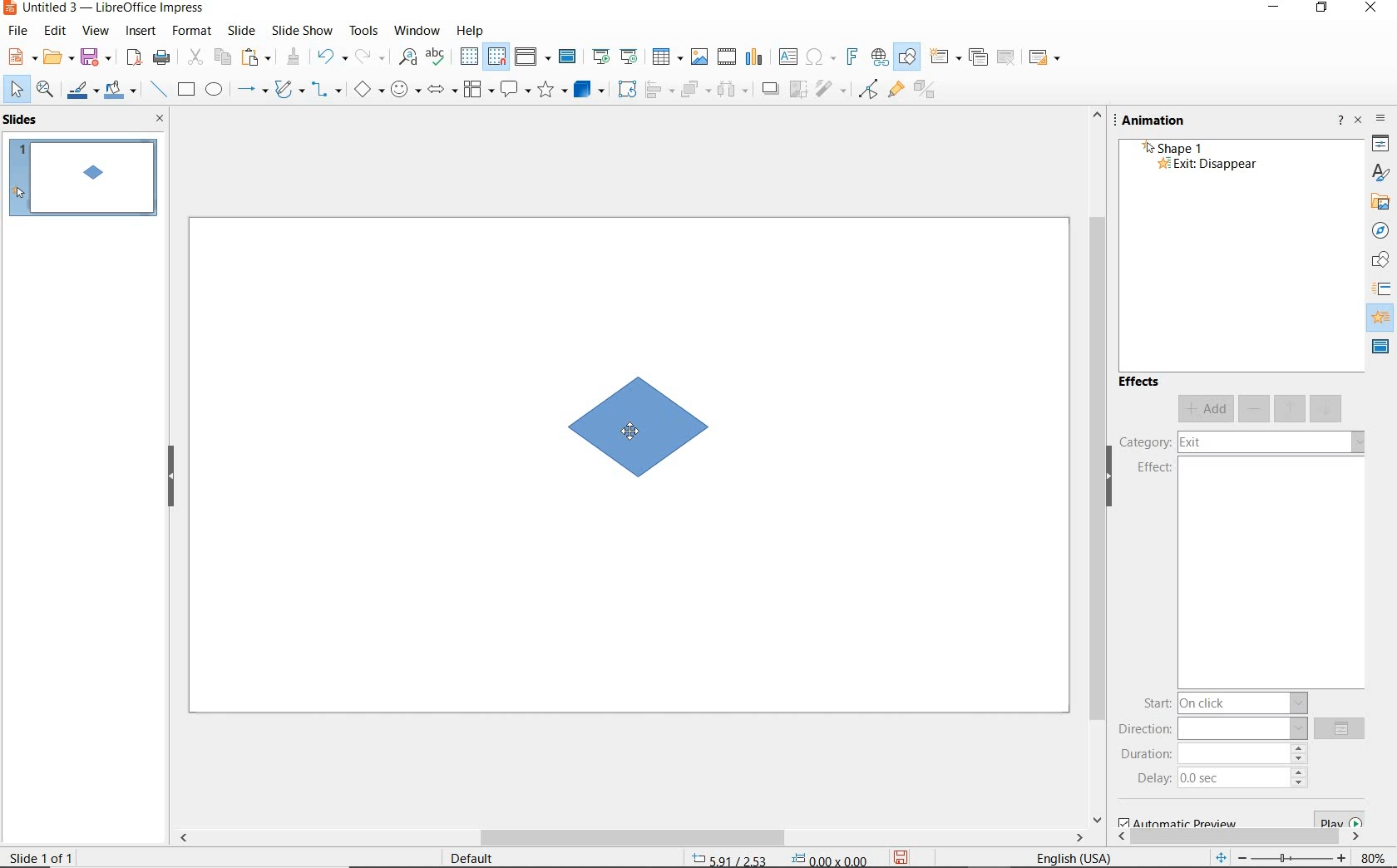  What do you see at coordinates (1327, 409) in the screenshot?
I see `move down` at bounding box center [1327, 409].